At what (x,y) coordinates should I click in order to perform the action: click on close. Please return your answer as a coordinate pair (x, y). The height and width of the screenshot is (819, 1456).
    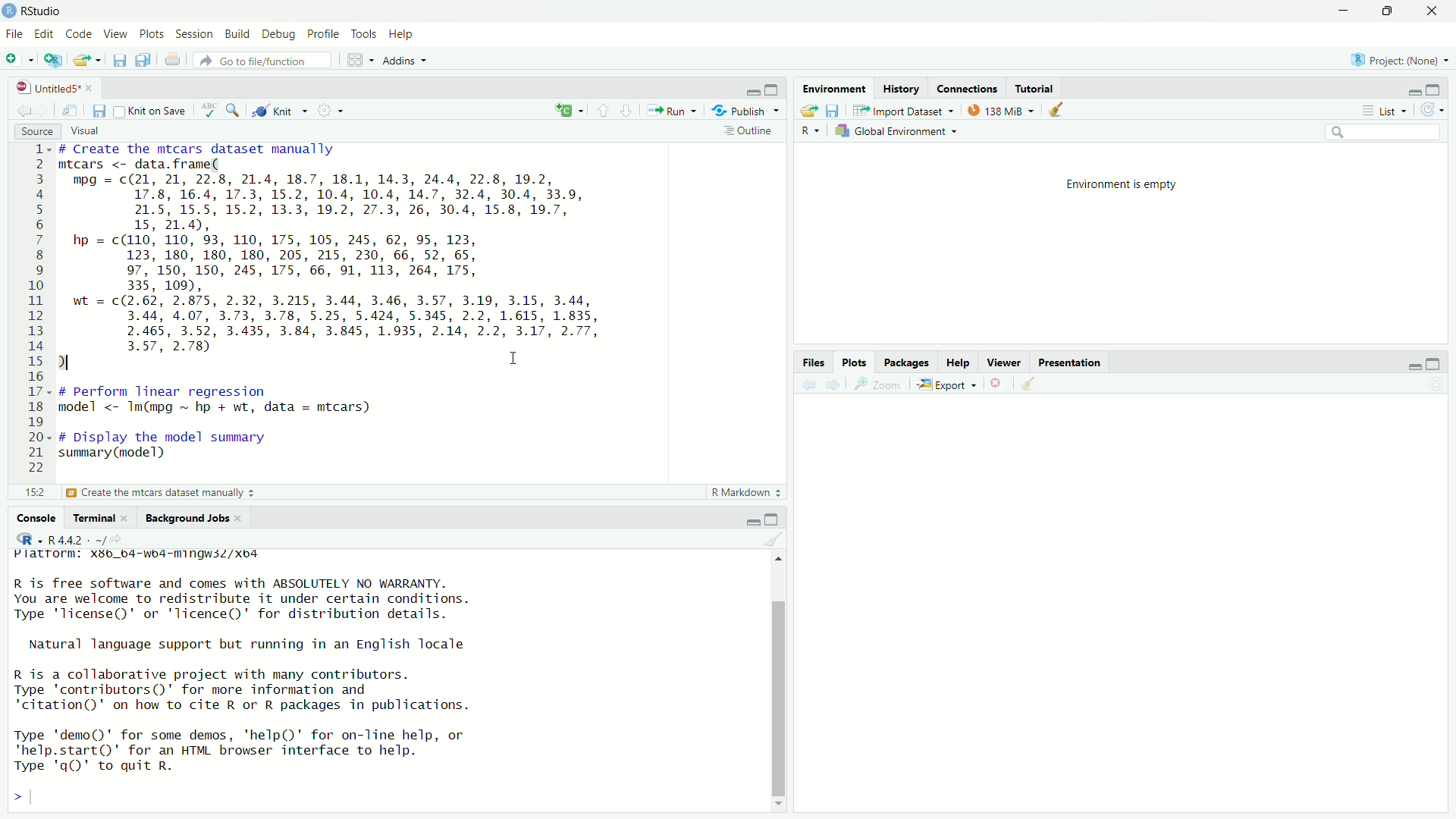
    Looking at the image, I should click on (1434, 11).